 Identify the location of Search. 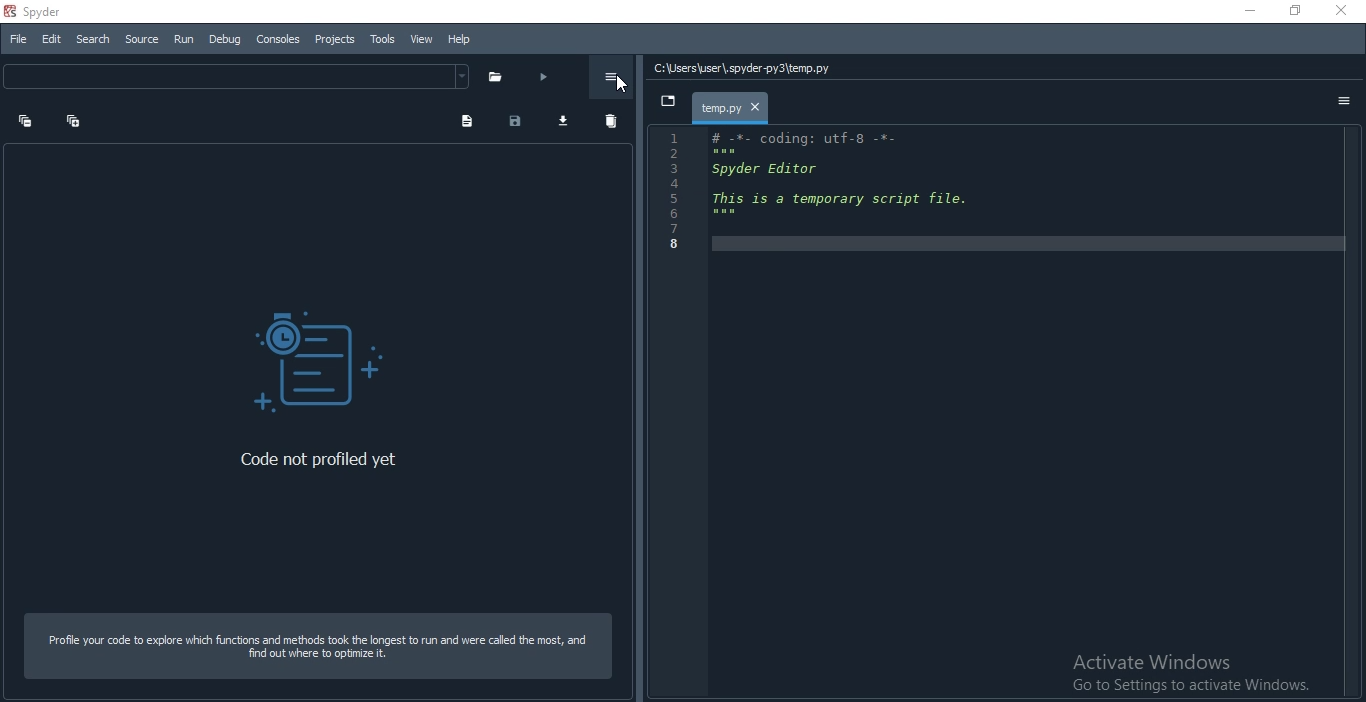
(93, 40).